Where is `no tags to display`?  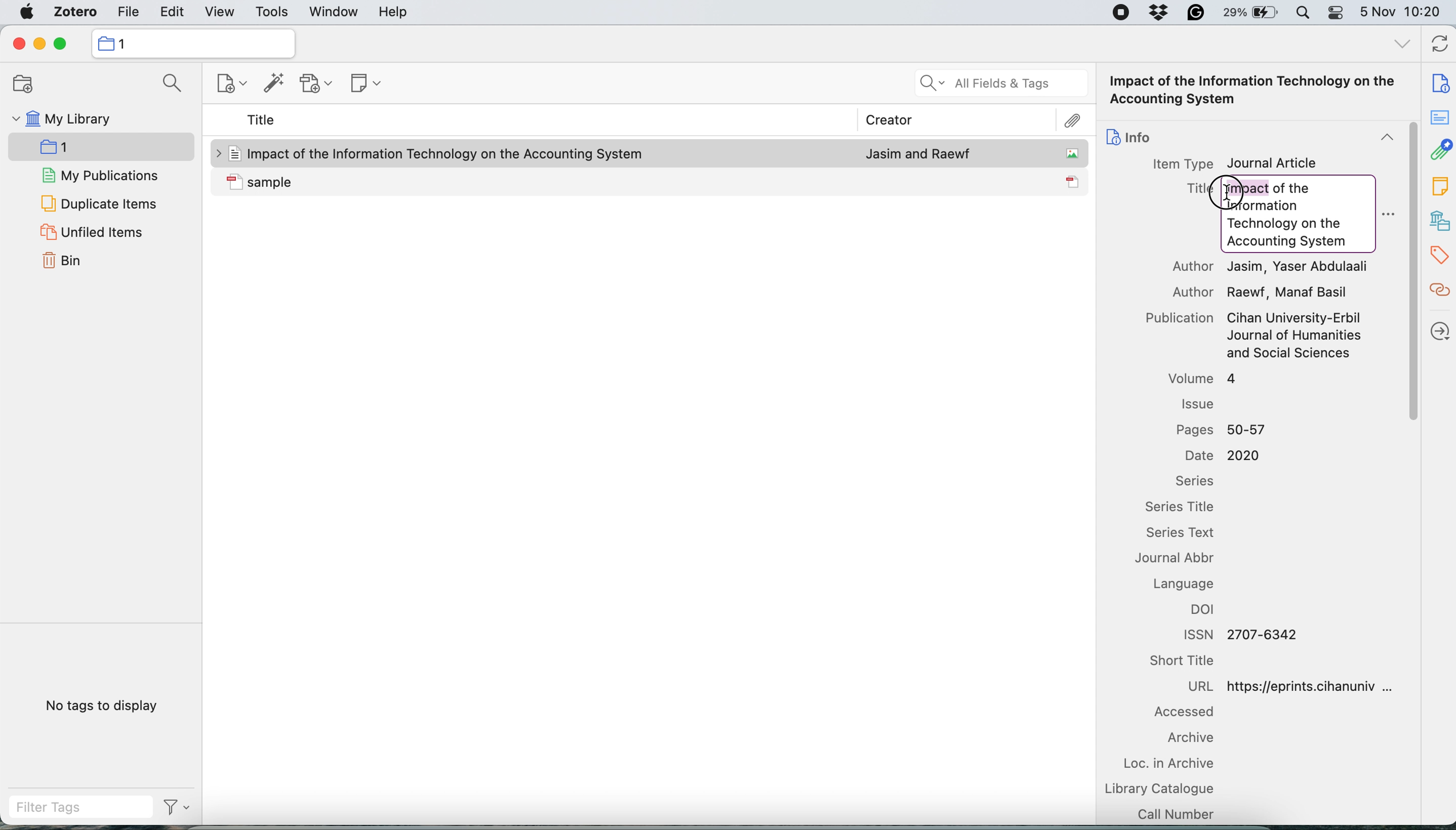
no tags to display is located at coordinates (102, 705).